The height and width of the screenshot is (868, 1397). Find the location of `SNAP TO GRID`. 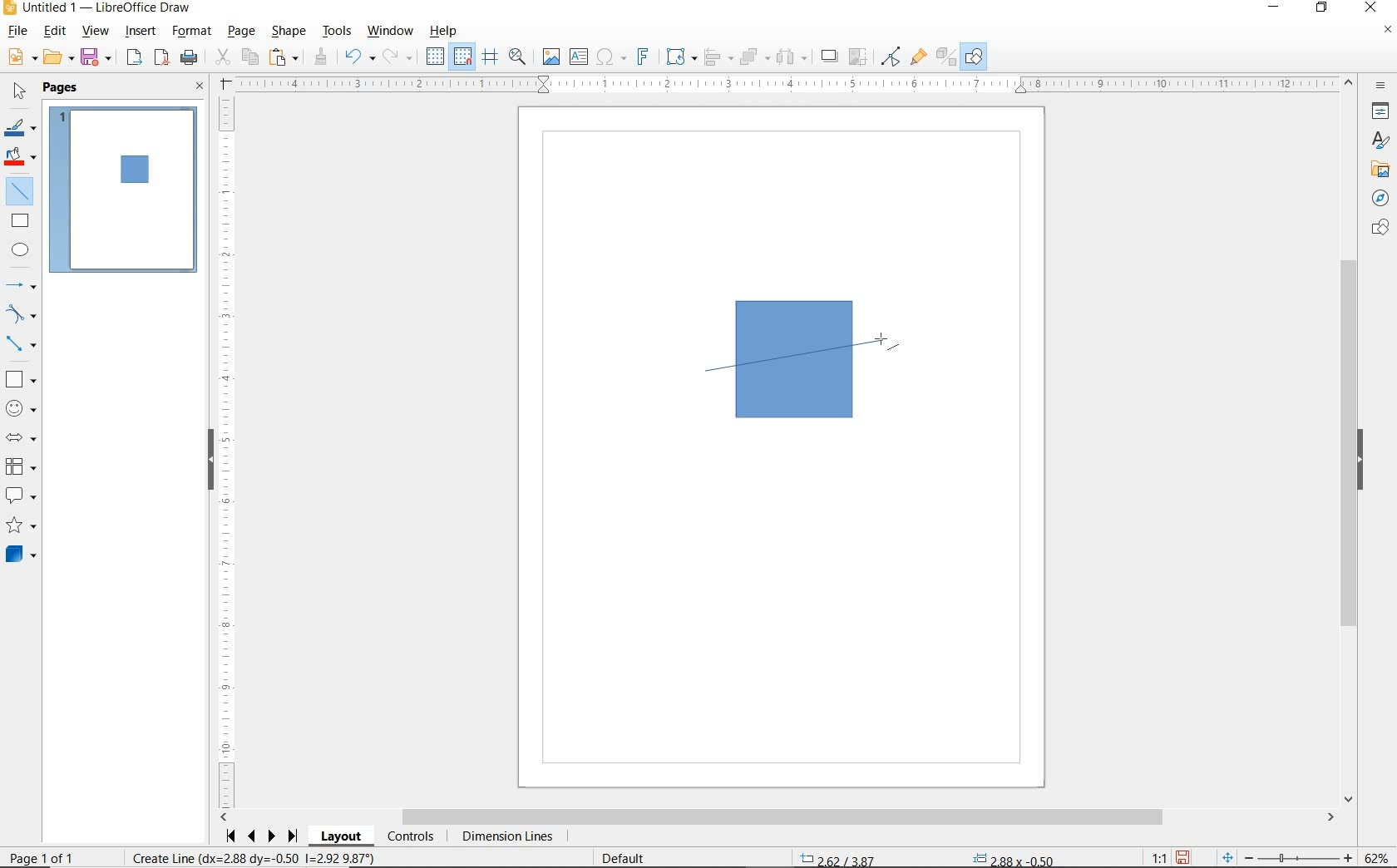

SNAP TO GRID is located at coordinates (463, 57).